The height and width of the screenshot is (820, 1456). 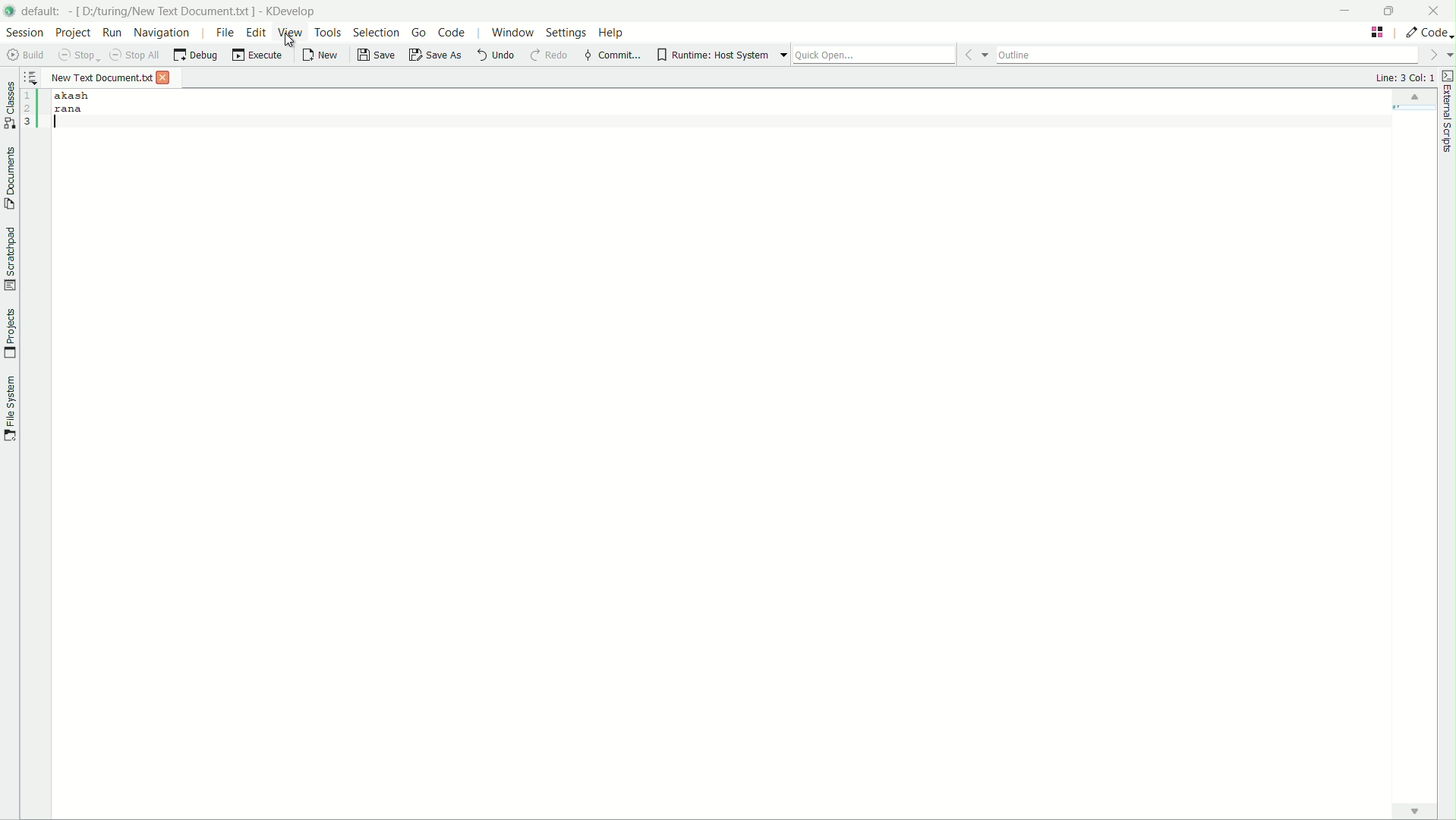 What do you see at coordinates (291, 44) in the screenshot?
I see `cursor` at bounding box center [291, 44].